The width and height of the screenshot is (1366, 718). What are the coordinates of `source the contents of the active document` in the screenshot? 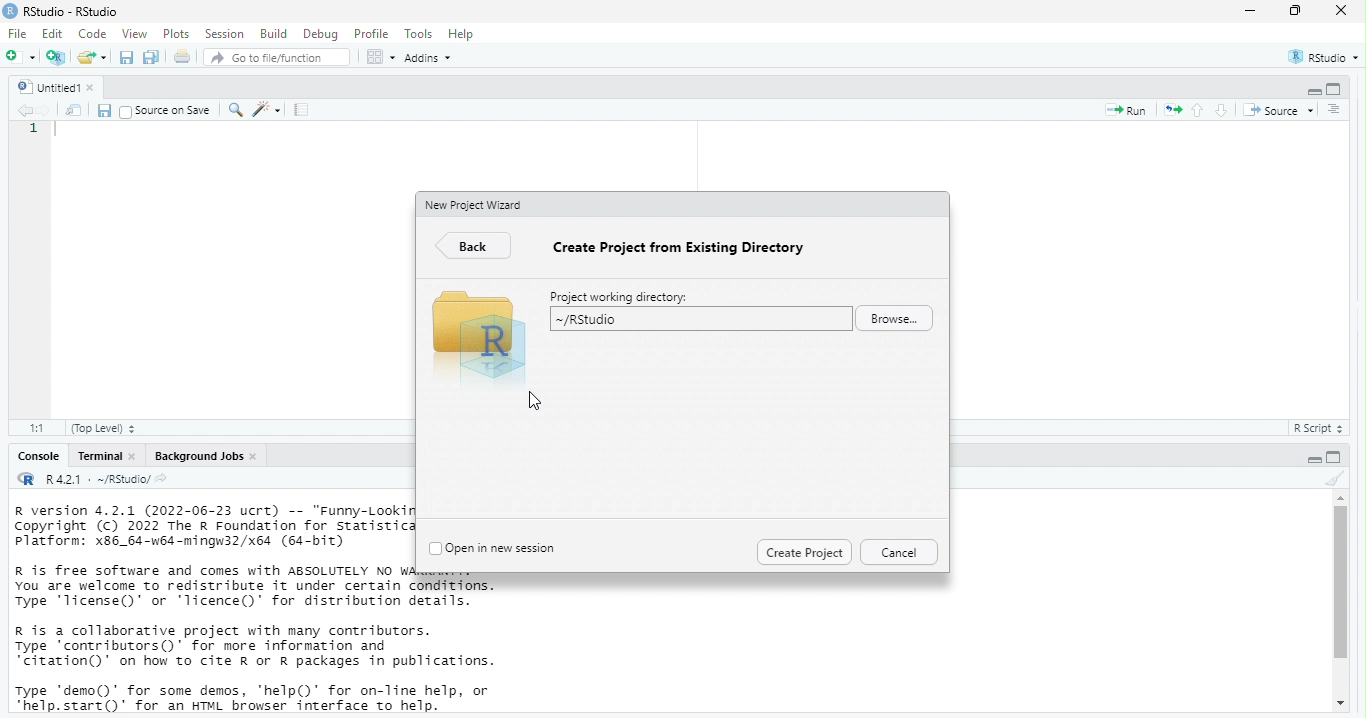 It's located at (1282, 111).